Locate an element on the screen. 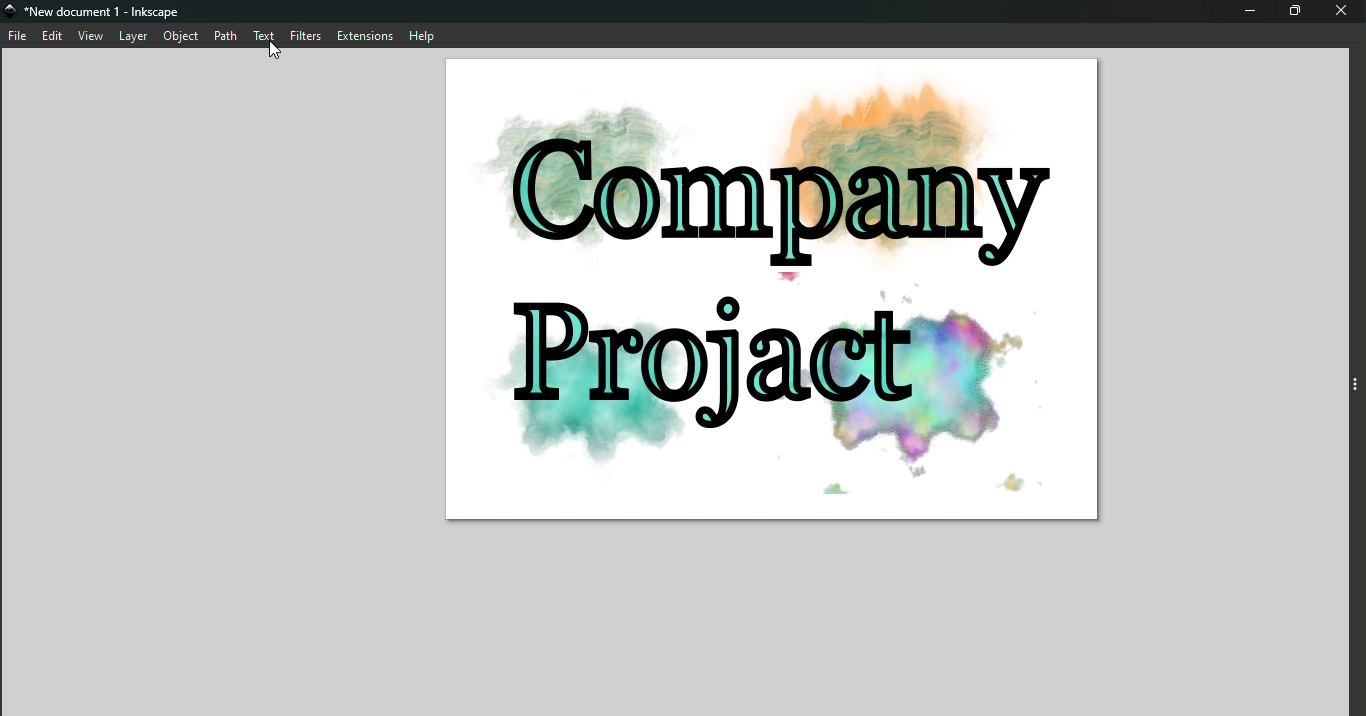 This screenshot has width=1366, height=716. view is located at coordinates (92, 37).